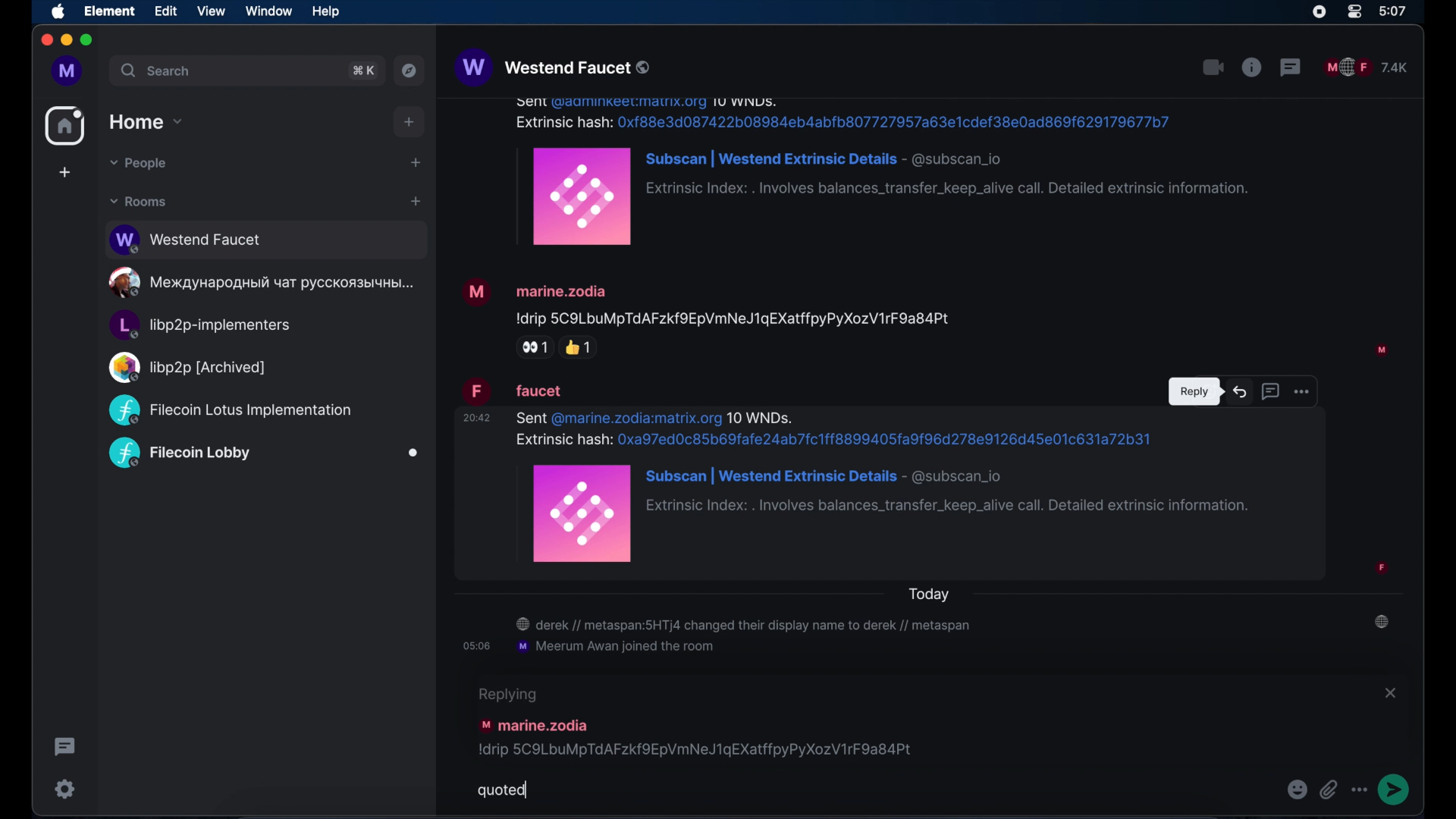 This screenshot has width=1456, height=819. Describe the element at coordinates (264, 454) in the screenshot. I see `public room` at that location.